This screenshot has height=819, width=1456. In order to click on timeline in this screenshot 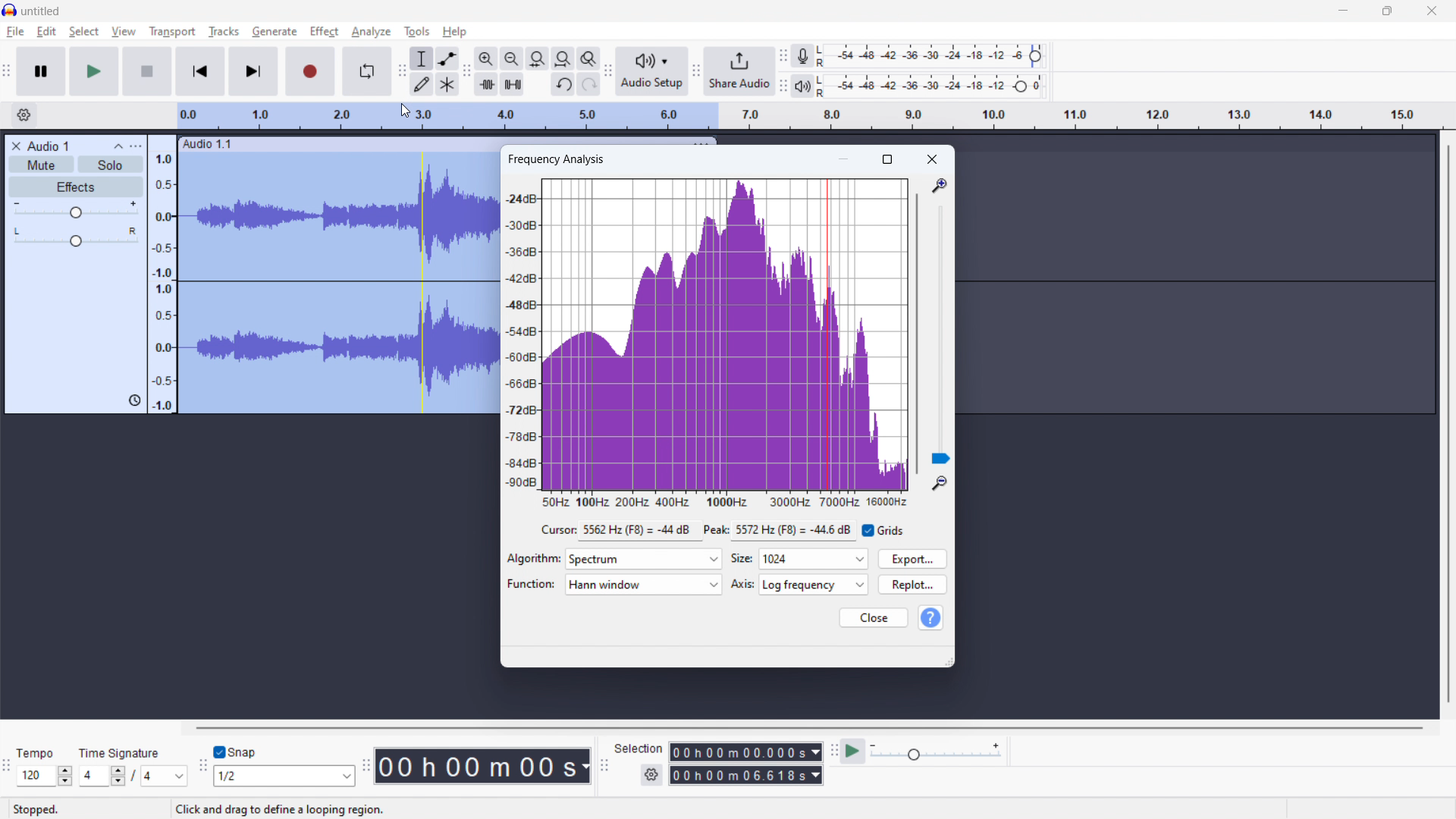, I will do `click(810, 116)`.